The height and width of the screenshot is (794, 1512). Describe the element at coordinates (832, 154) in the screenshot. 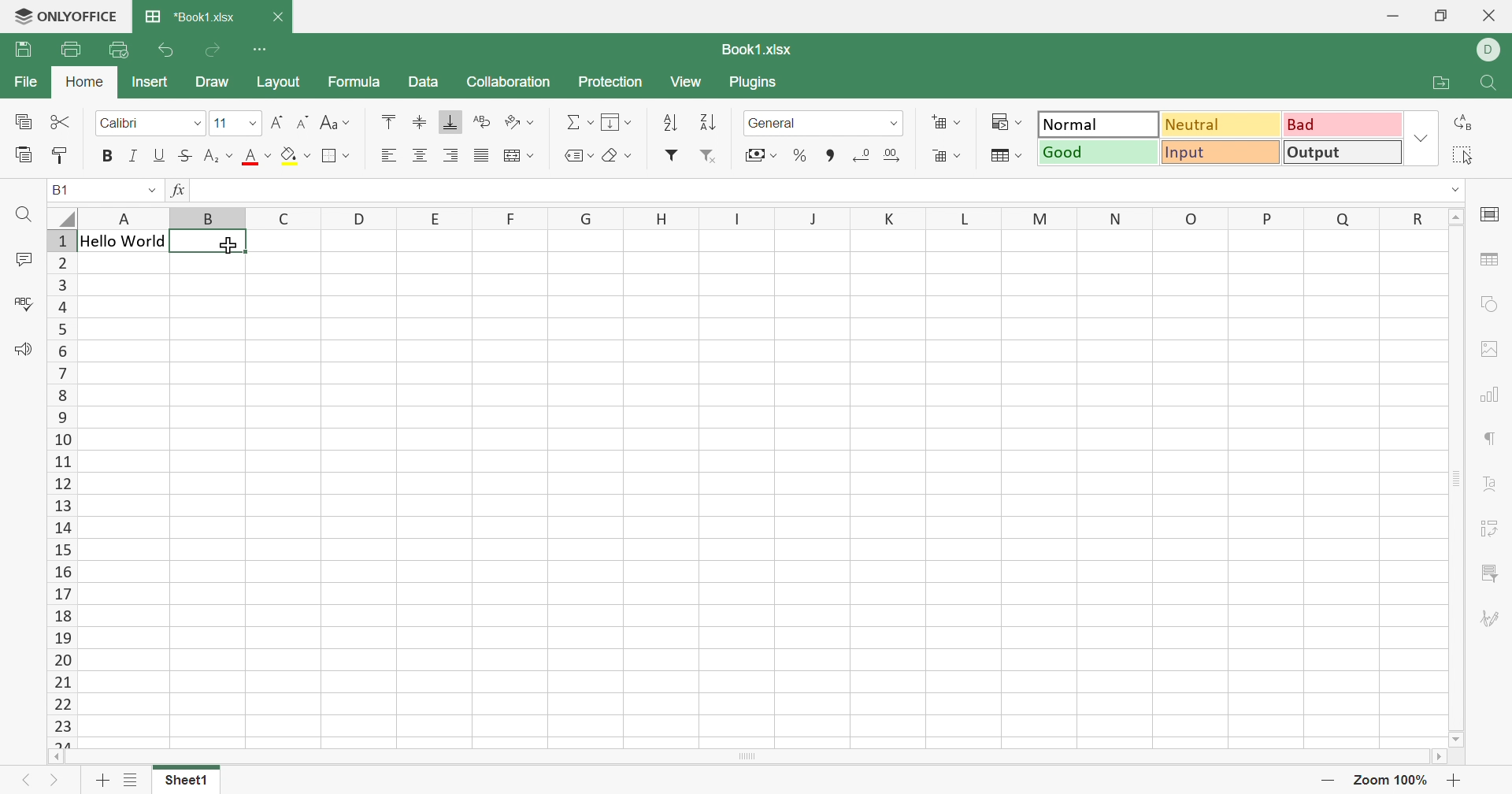

I see `Comma style` at that location.